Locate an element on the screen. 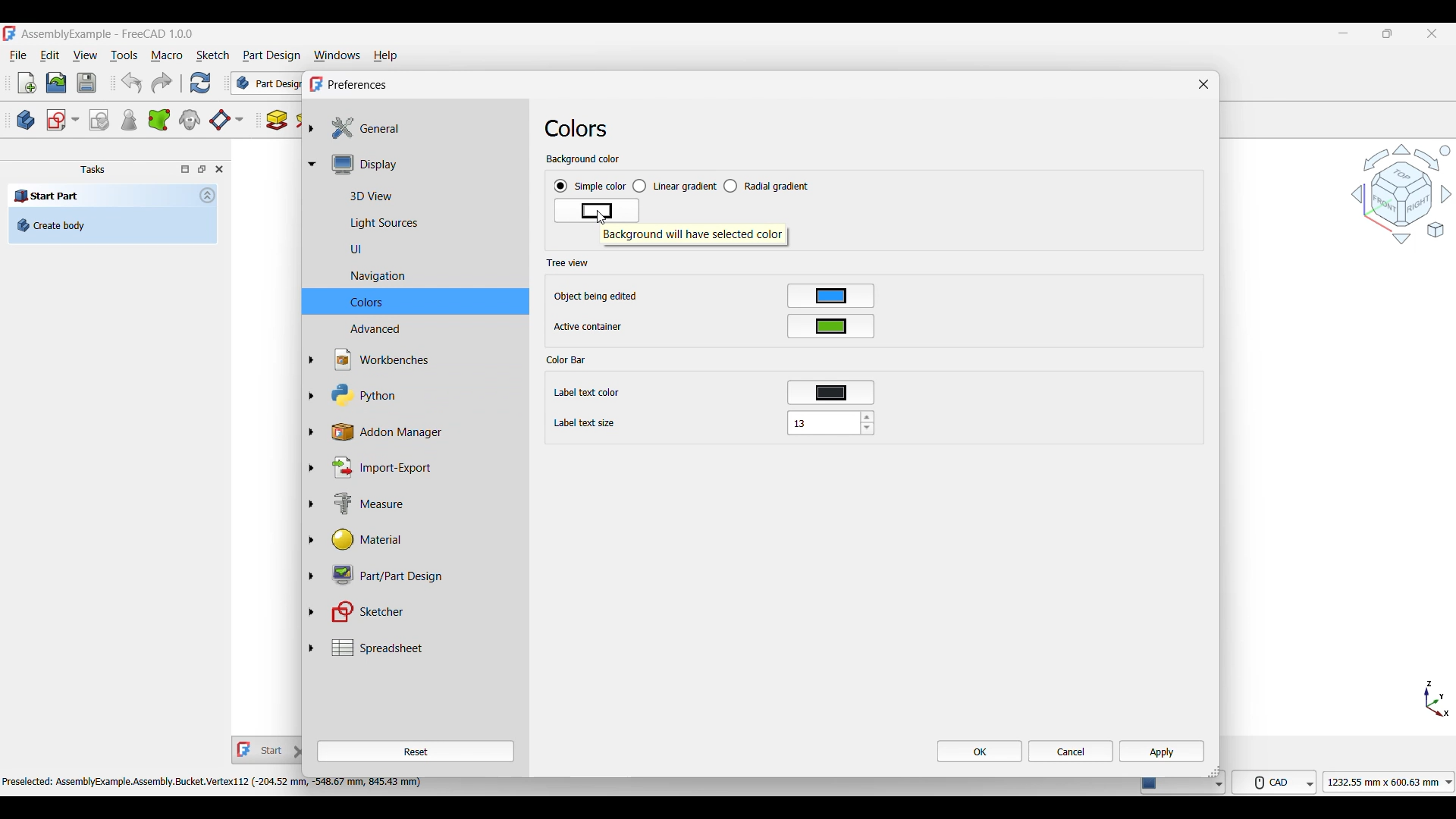 The image size is (1456, 819). Part design is located at coordinates (271, 55).